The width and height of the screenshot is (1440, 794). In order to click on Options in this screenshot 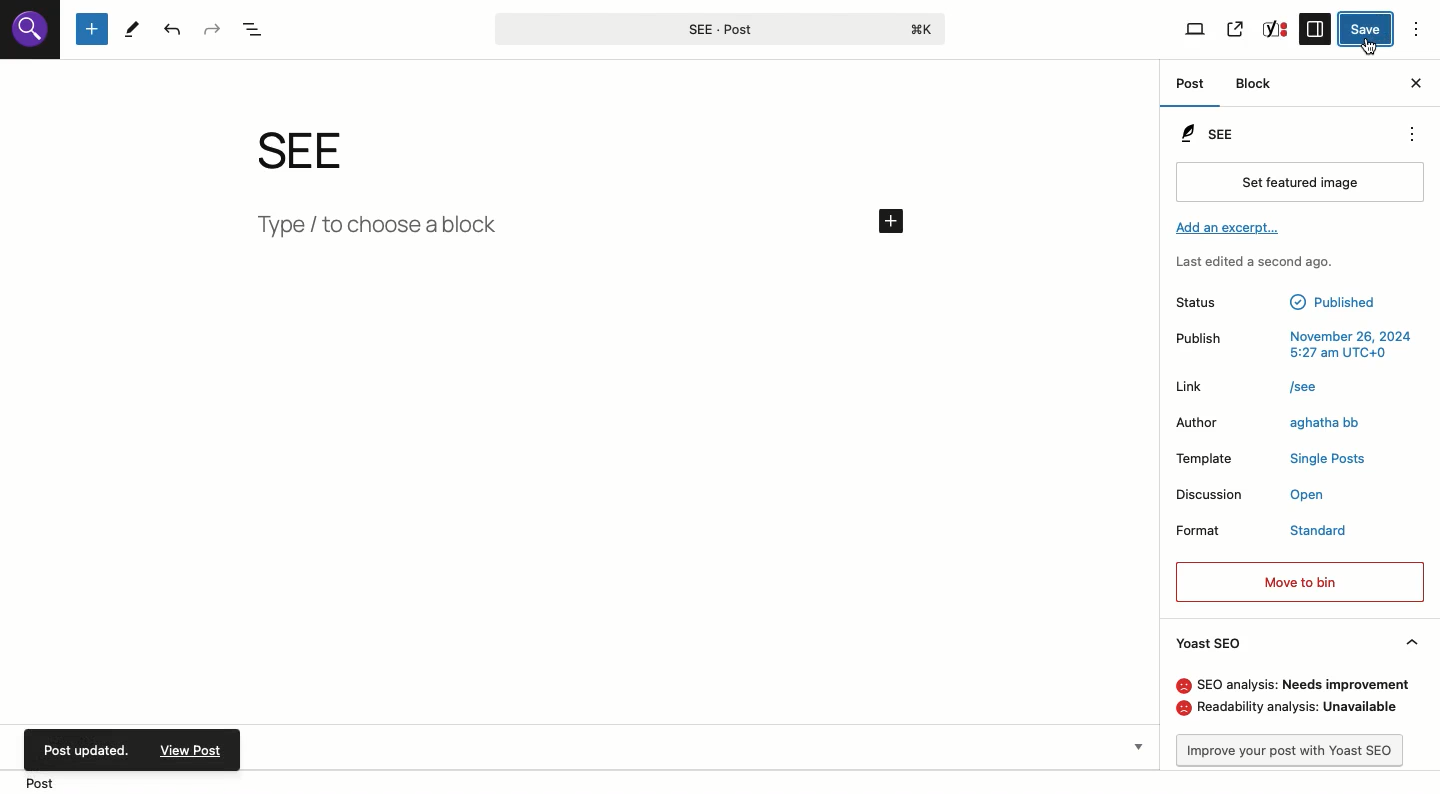, I will do `click(1415, 26)`.